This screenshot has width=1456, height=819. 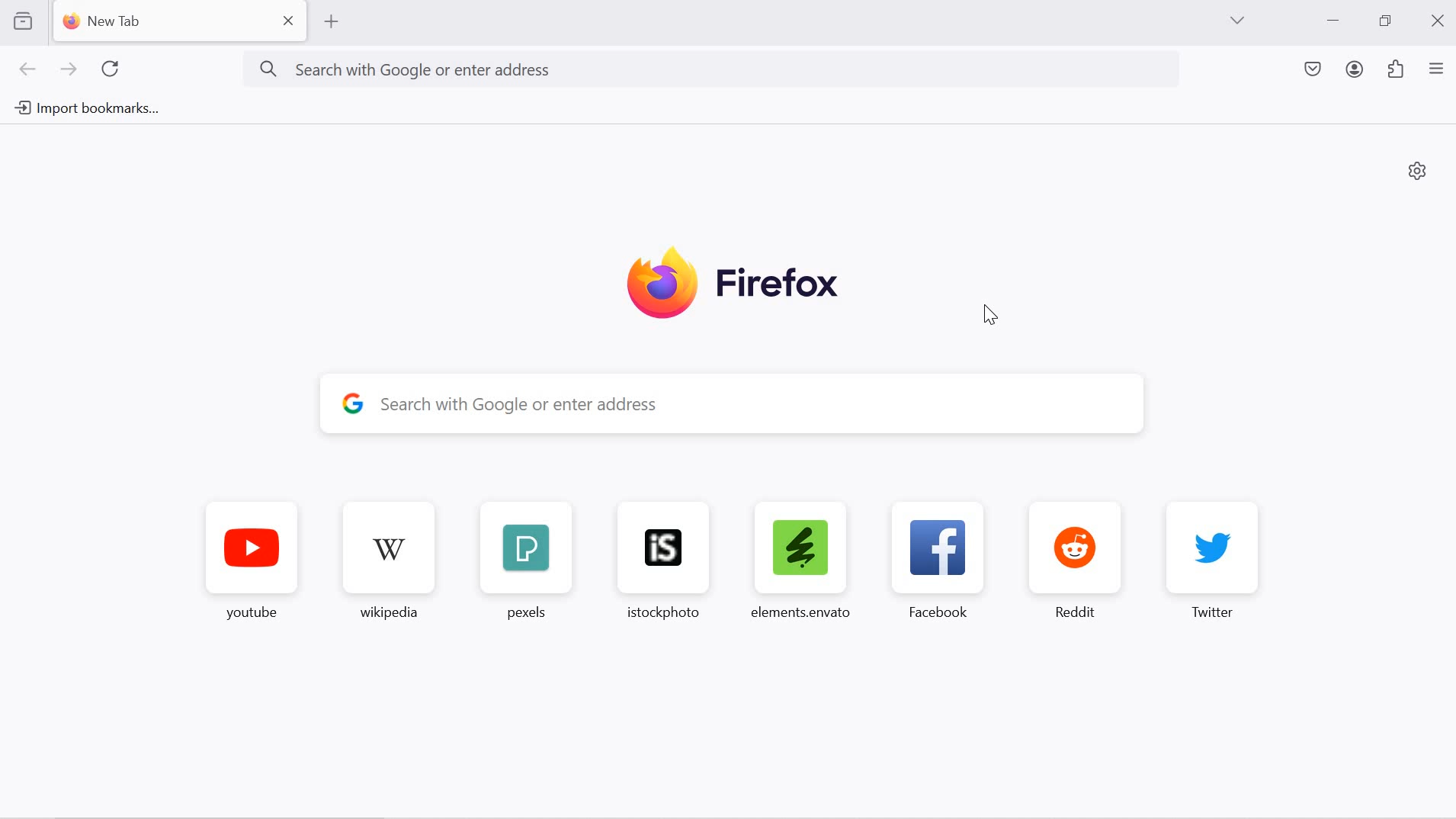 What do you see at coordinates (993, 313) in the screenshot?
I see `cursor` at bounding box center [993, 313].